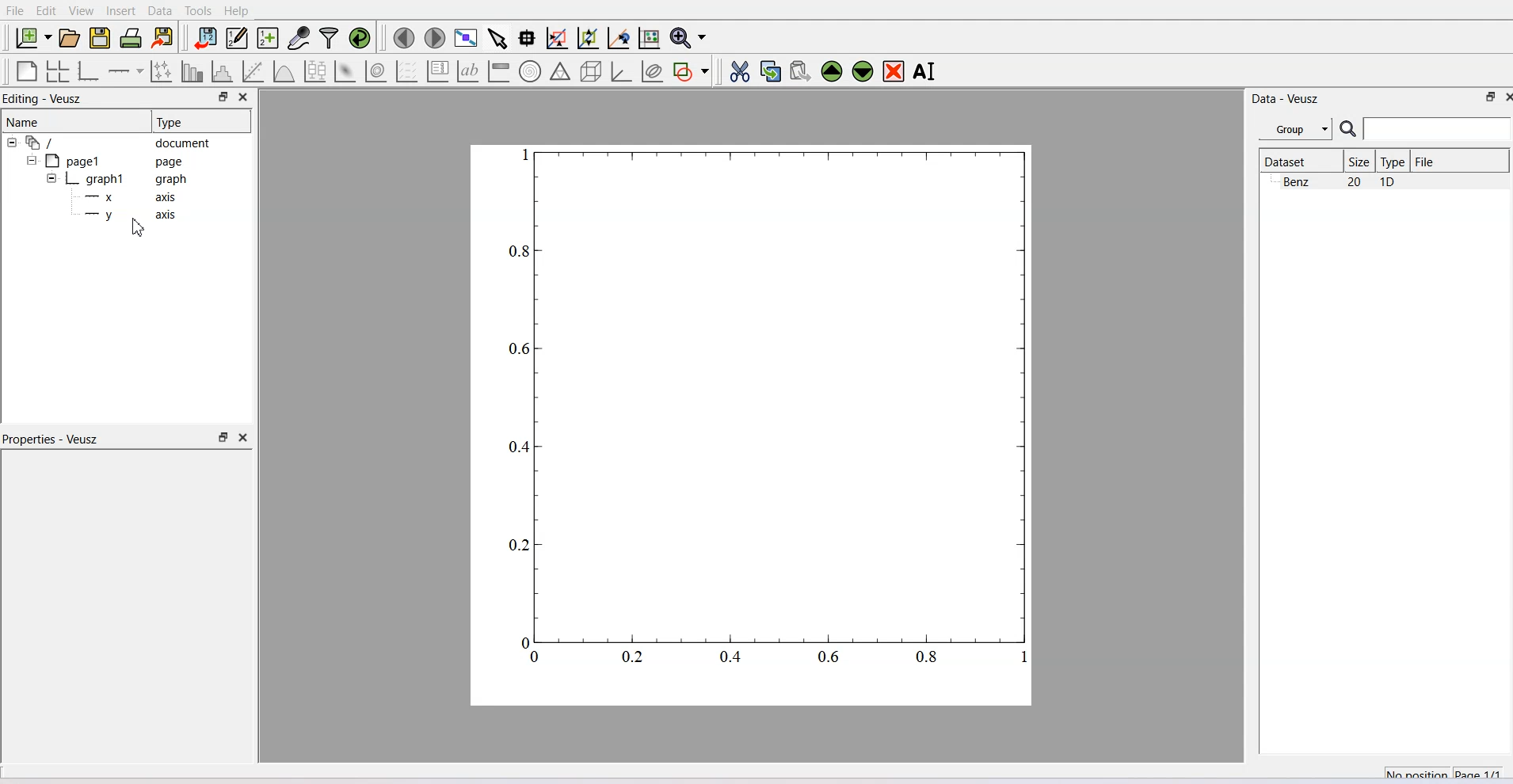 This screenshot has height=784, width=1513. What do you see at coordinates (315, 70) in the screenshot?
I see `Plot box plots` at bounding box center [315, 70].